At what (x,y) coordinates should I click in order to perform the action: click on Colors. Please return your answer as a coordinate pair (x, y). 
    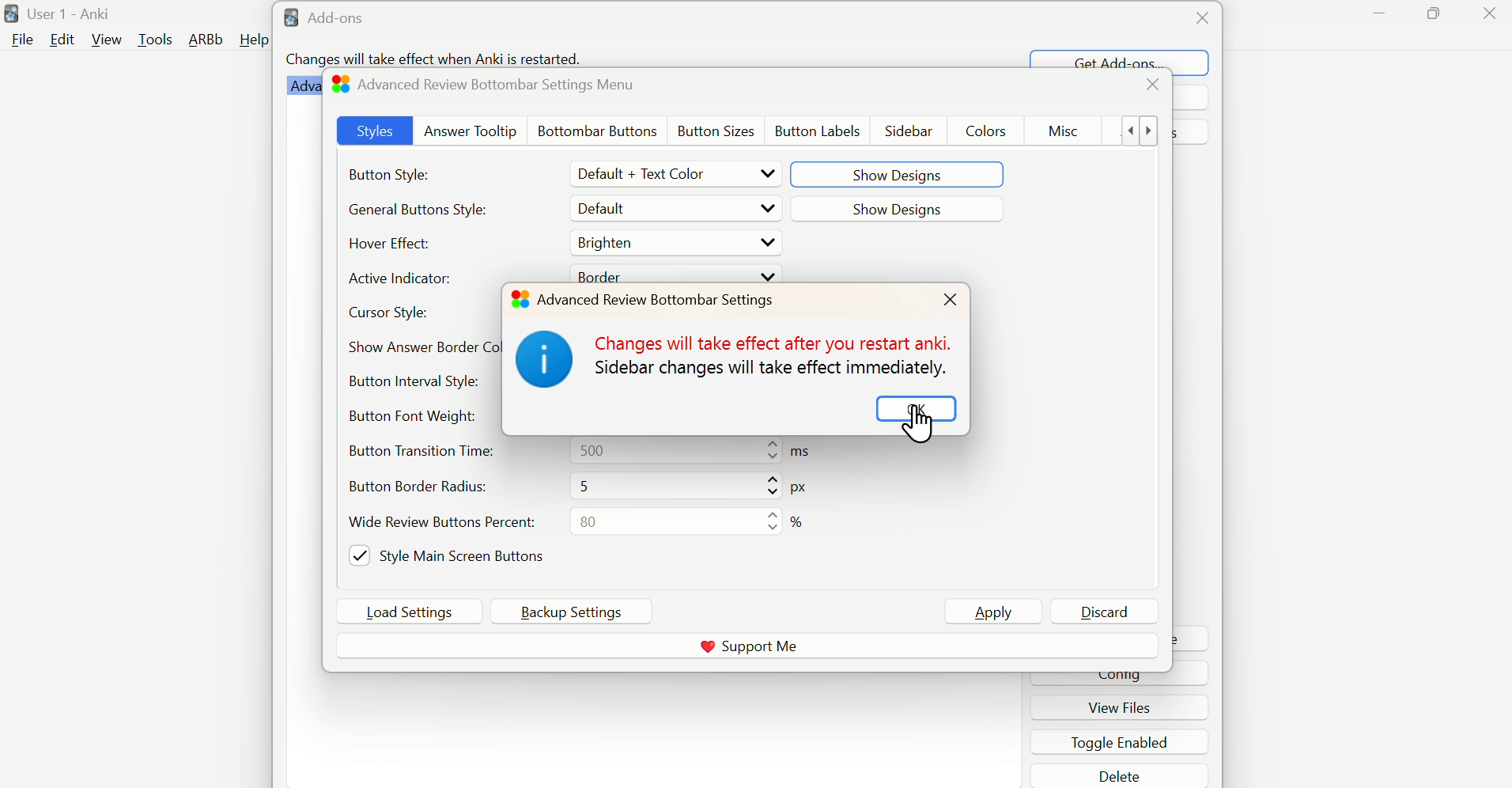
    Looking at the image, I should click on (980, 133).